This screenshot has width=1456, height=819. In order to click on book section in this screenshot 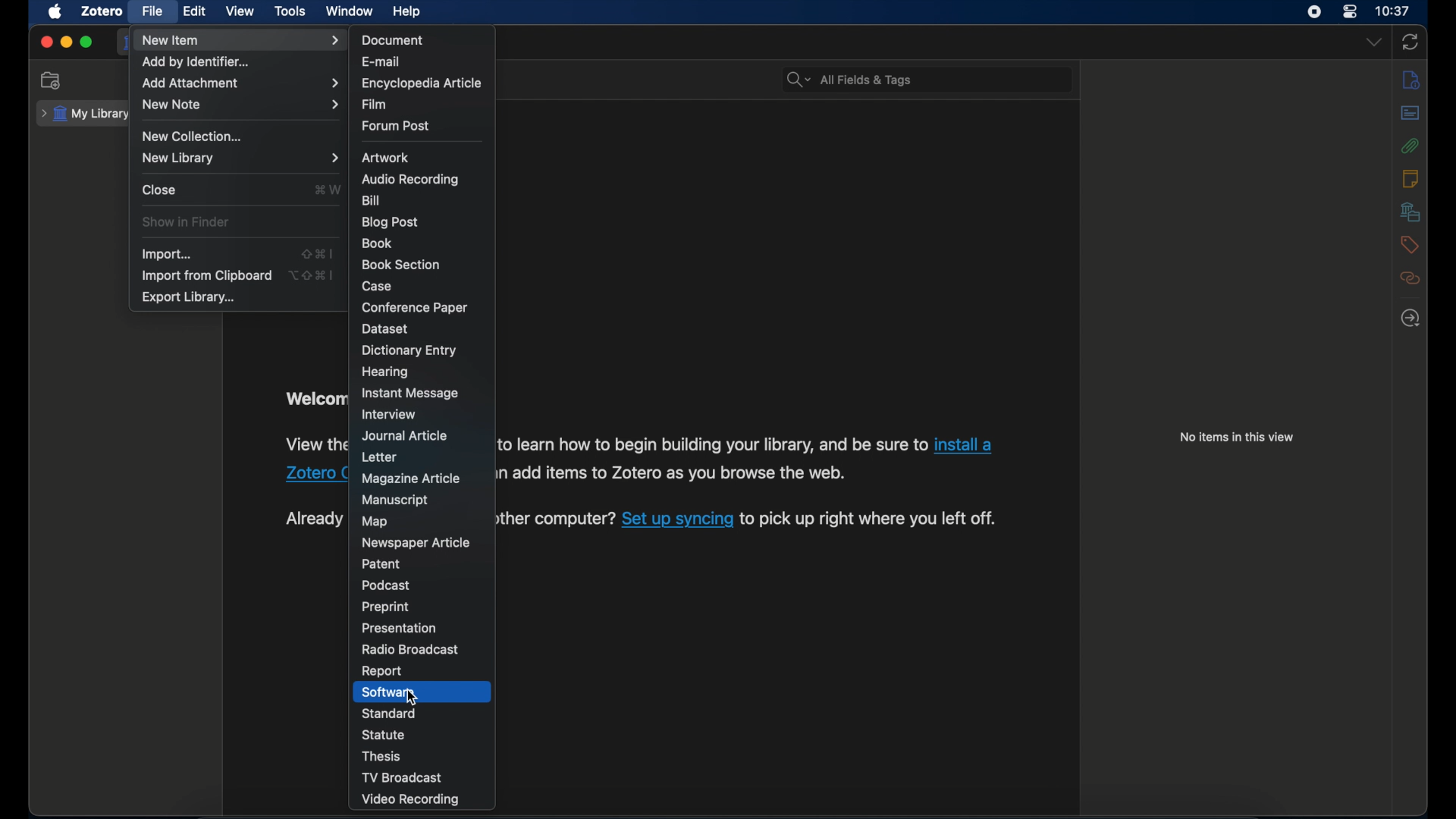, I will do `click(402, 265)`.